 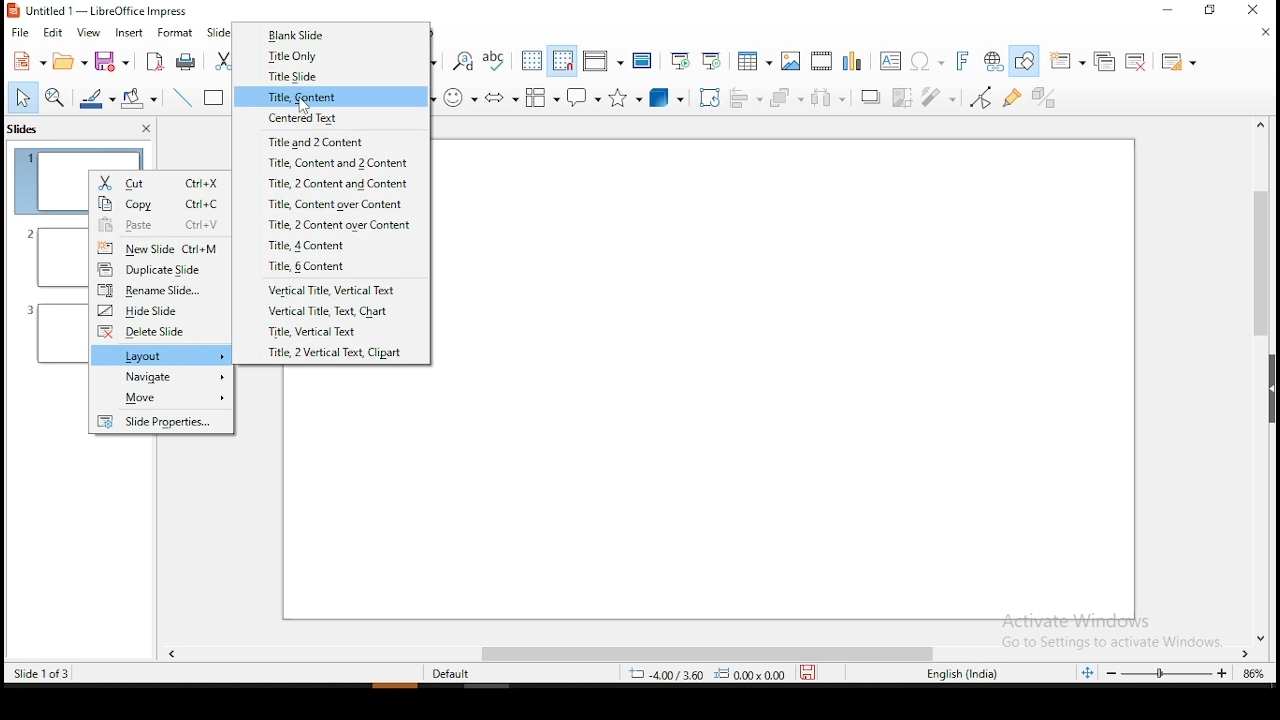 I want to click on navigate, so click(x=164, y=377).